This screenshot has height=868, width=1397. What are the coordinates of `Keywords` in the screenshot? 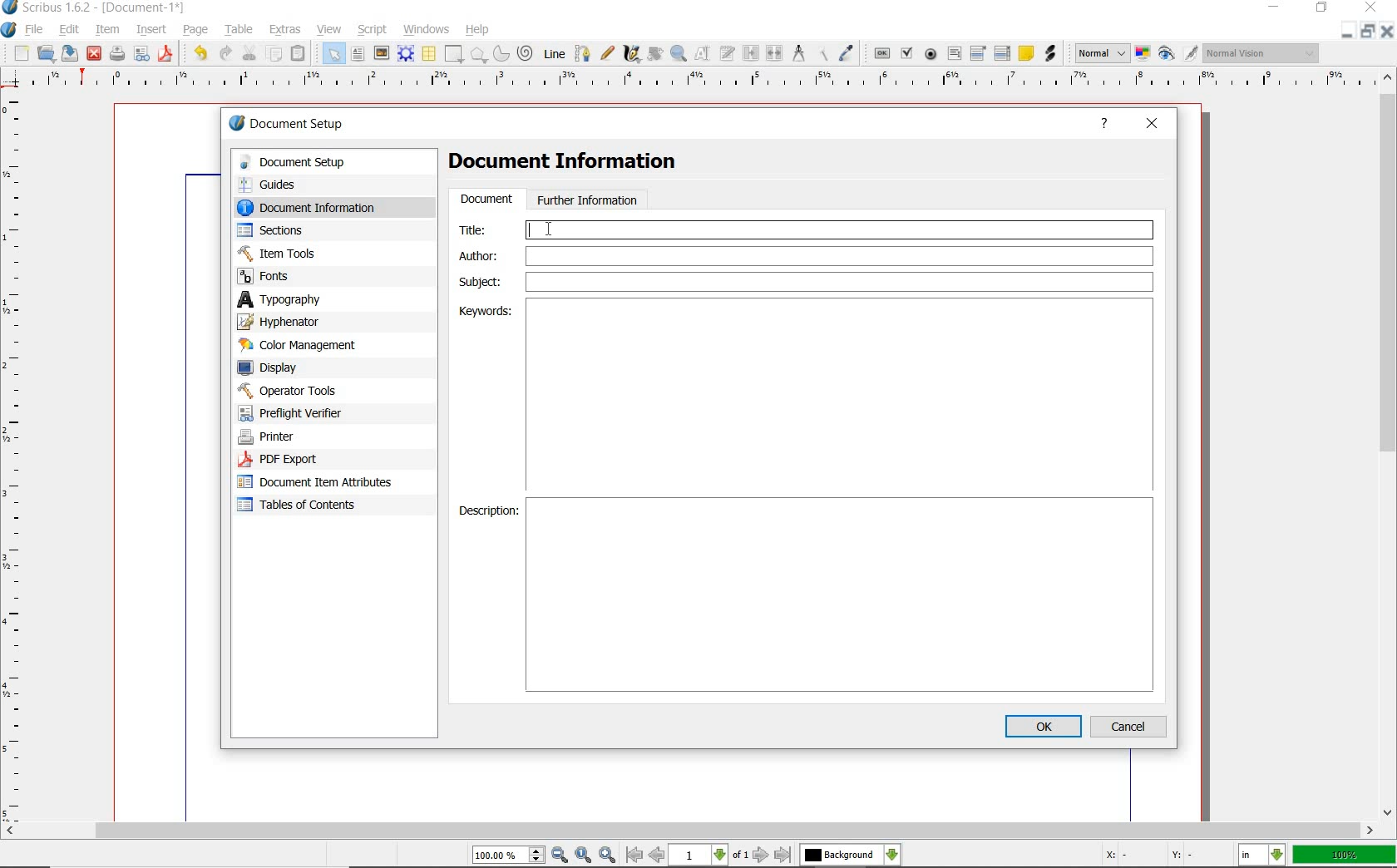 It's located at (844, 392).